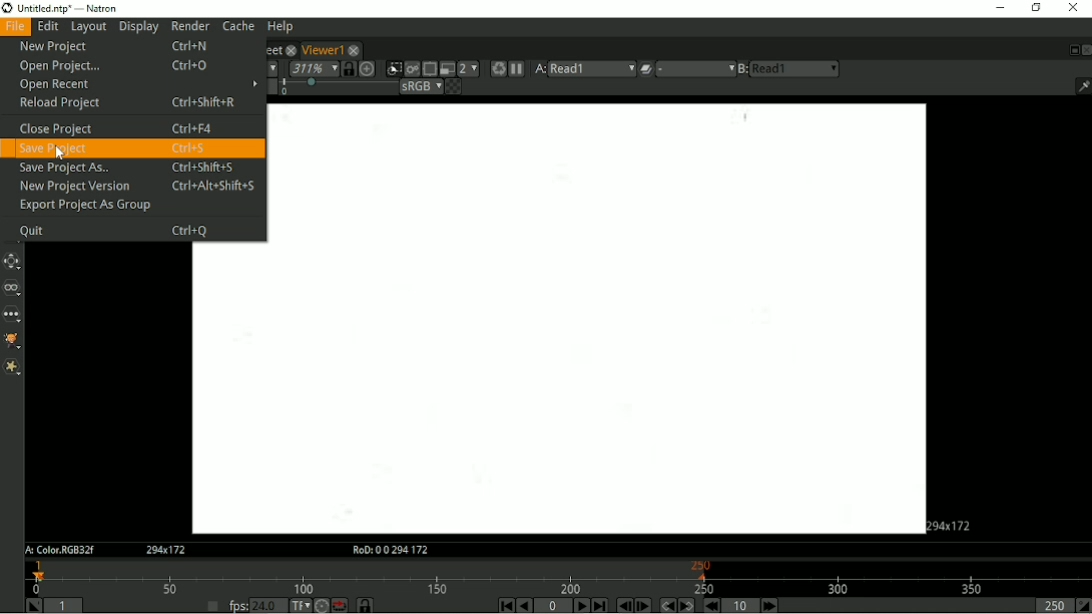 This screenshot has height=614, width=1092. Describe the element at coordinates (46, 26) in the screenshot. I see `Edit` at that location.